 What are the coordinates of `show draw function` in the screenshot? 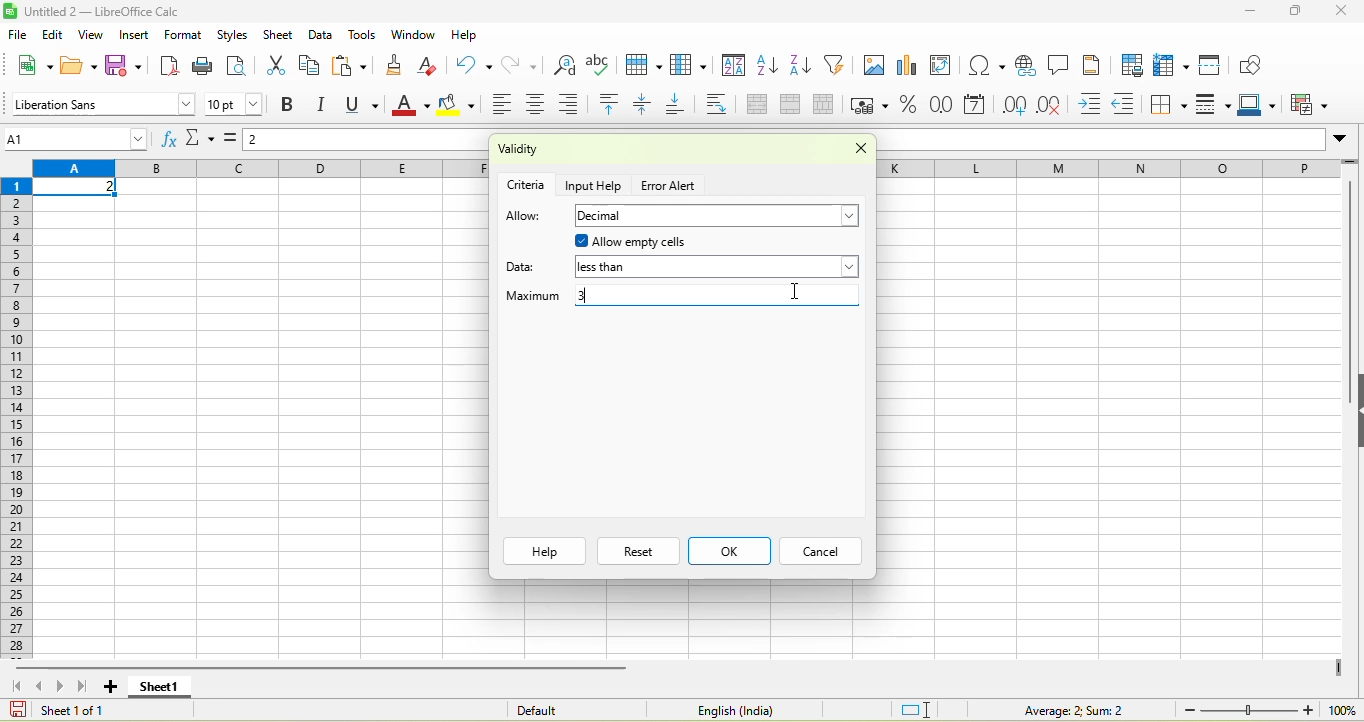 It's located at (1253, 64).